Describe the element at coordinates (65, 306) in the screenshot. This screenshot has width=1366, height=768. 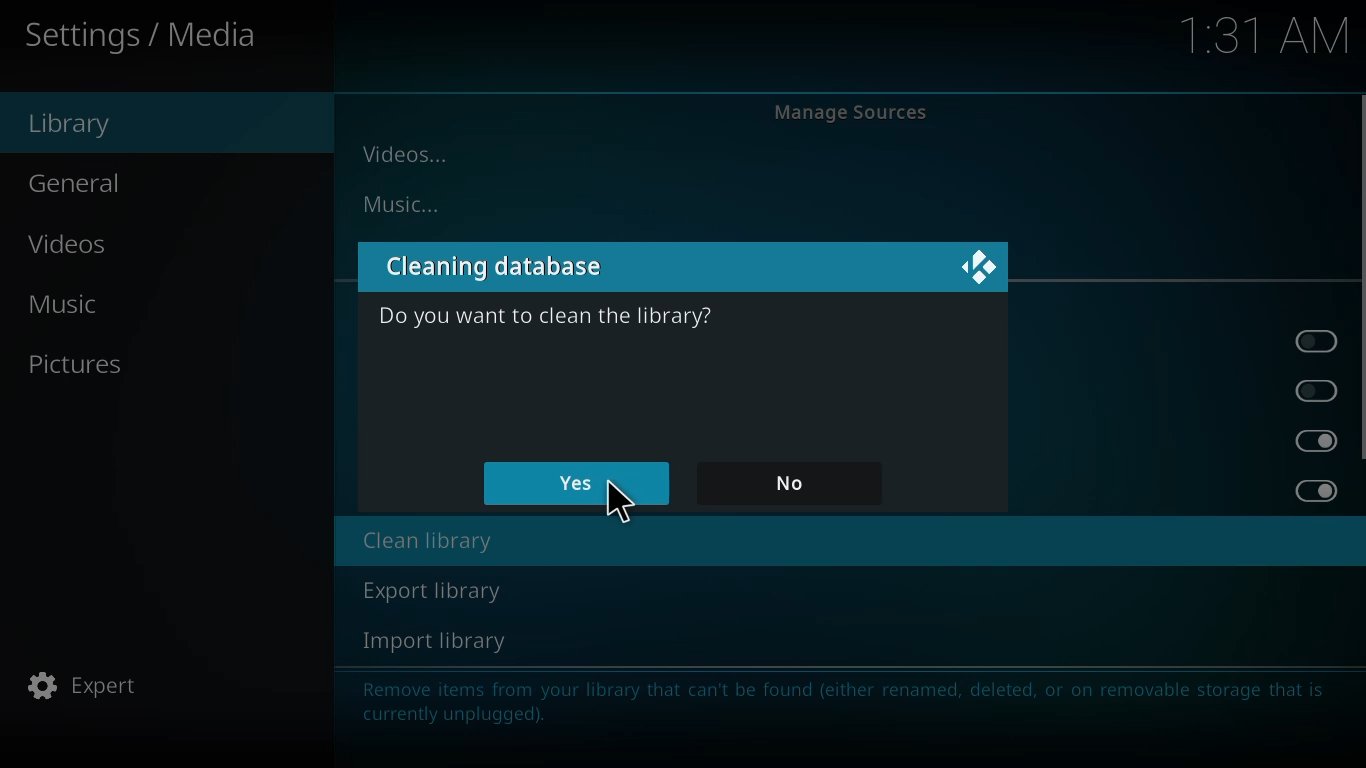
I see `Music` at that location.